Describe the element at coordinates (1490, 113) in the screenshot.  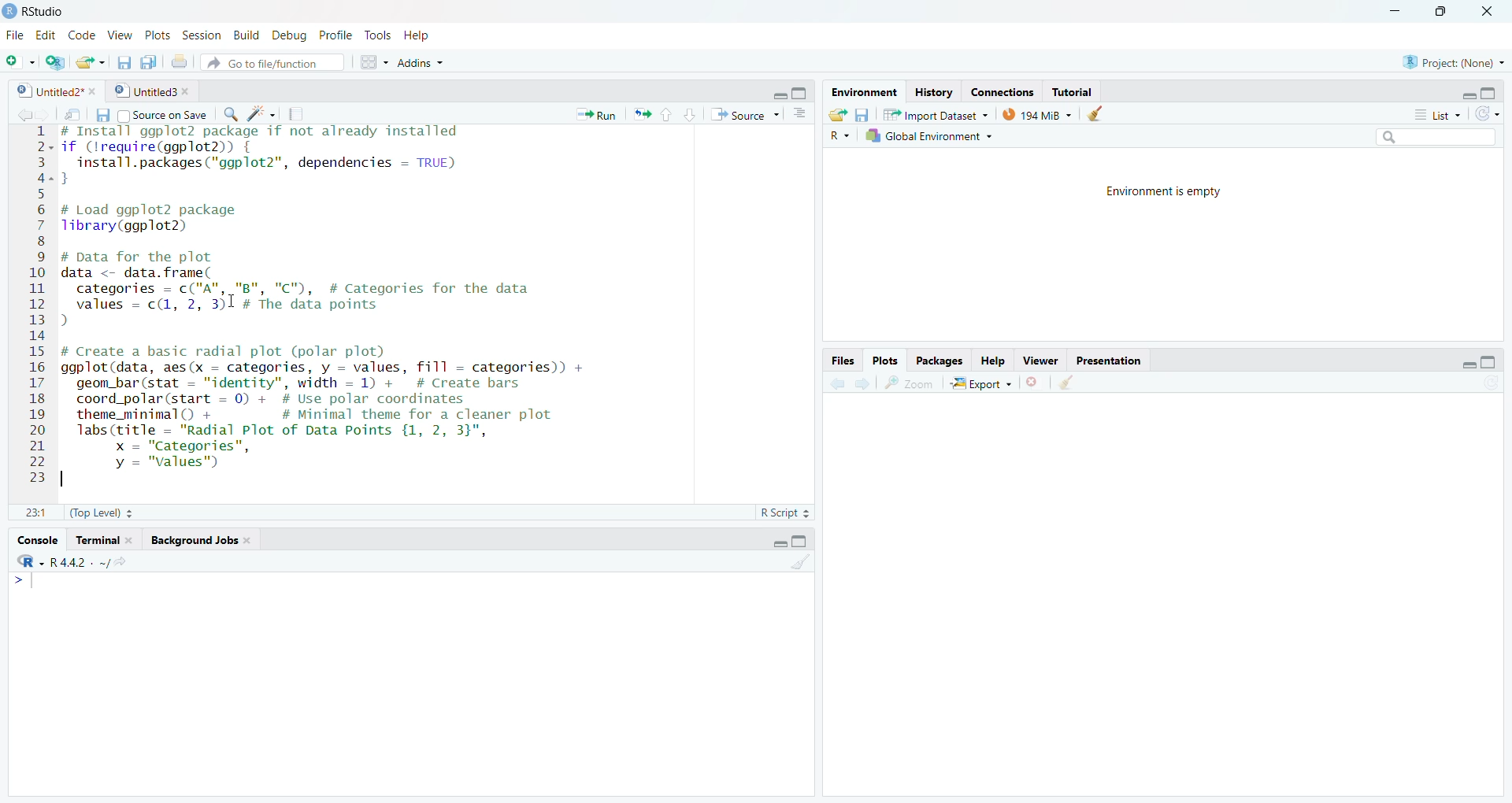
I see `Refresh theme` at that location.